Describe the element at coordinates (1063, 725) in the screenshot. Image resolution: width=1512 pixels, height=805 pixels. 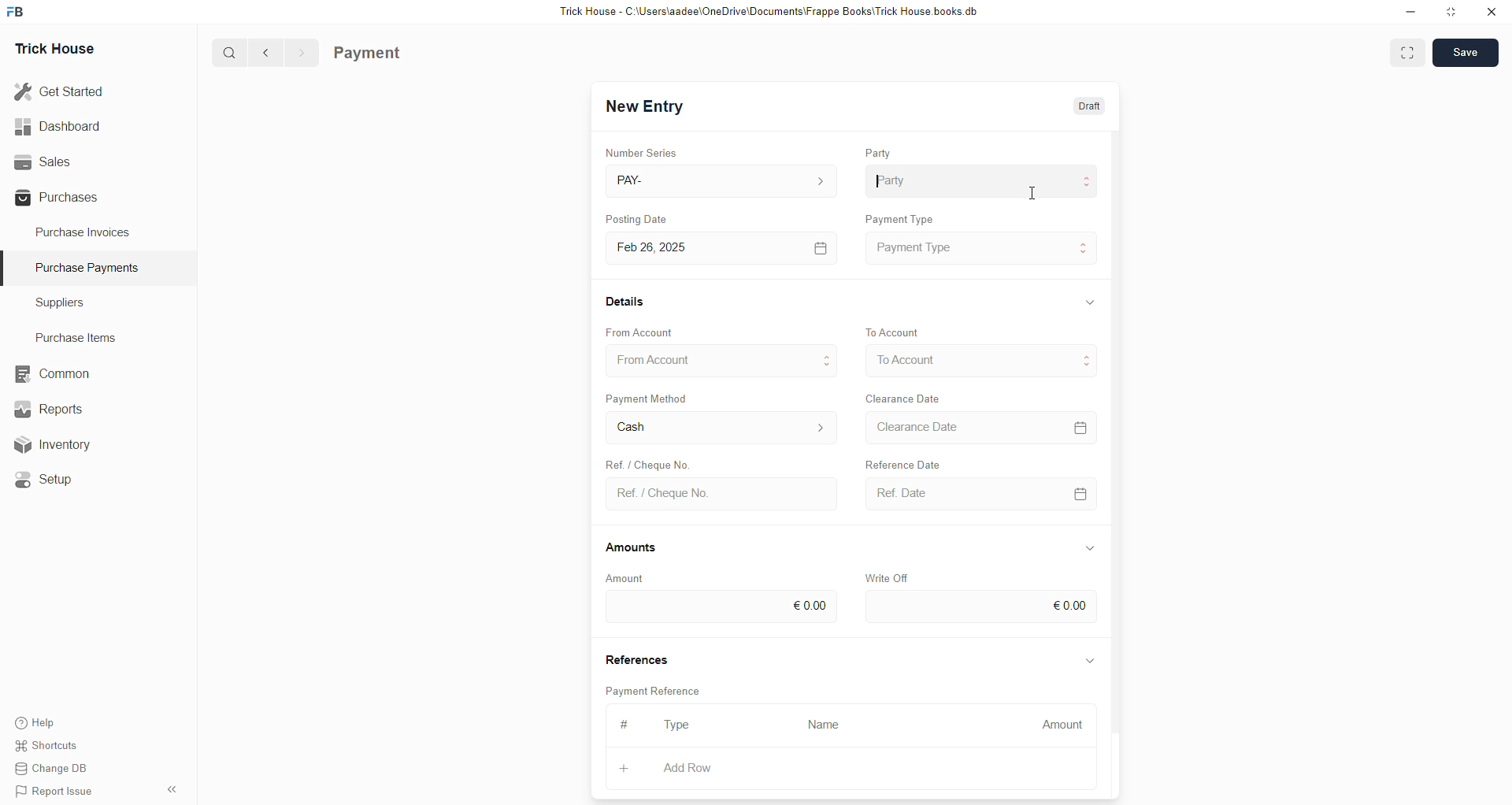
I see `Amount` at that location.